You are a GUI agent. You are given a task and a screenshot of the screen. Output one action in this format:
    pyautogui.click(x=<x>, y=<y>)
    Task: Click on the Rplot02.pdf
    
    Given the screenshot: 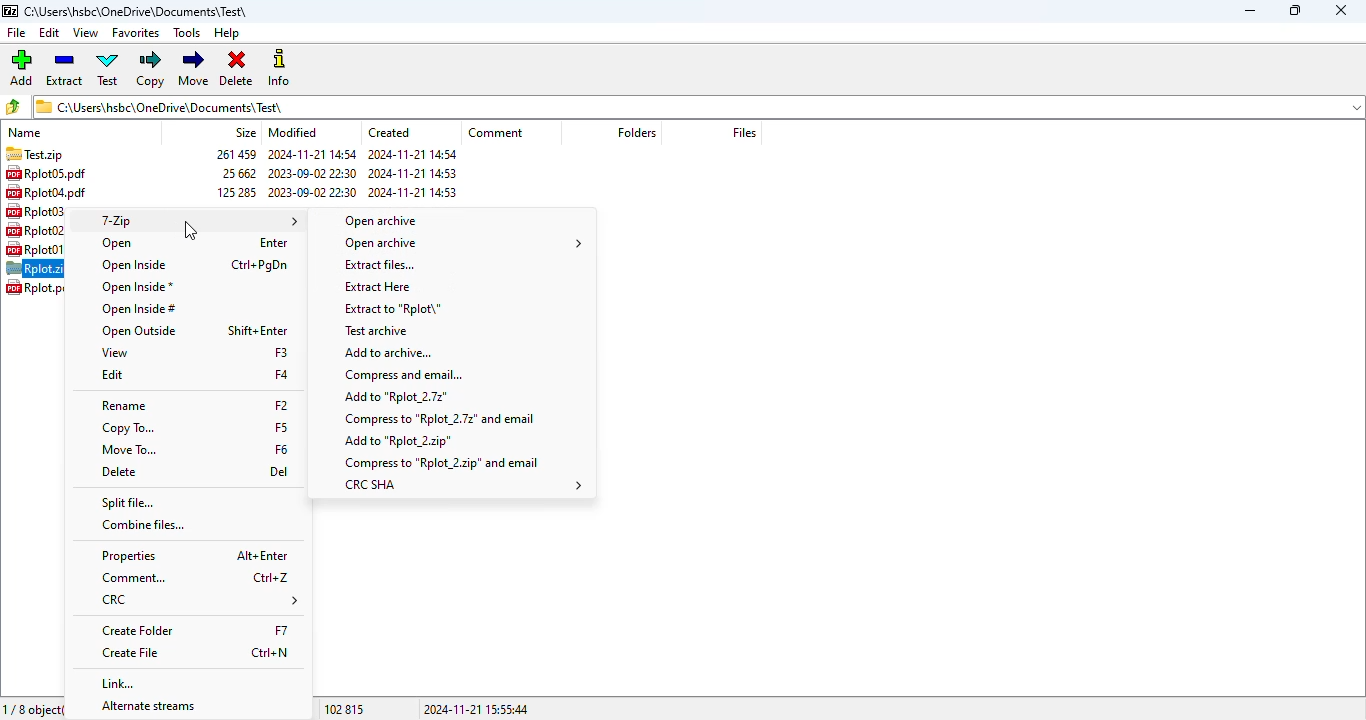 What is the action you would take?
    pyautogui.click(x=47, y=230)
    